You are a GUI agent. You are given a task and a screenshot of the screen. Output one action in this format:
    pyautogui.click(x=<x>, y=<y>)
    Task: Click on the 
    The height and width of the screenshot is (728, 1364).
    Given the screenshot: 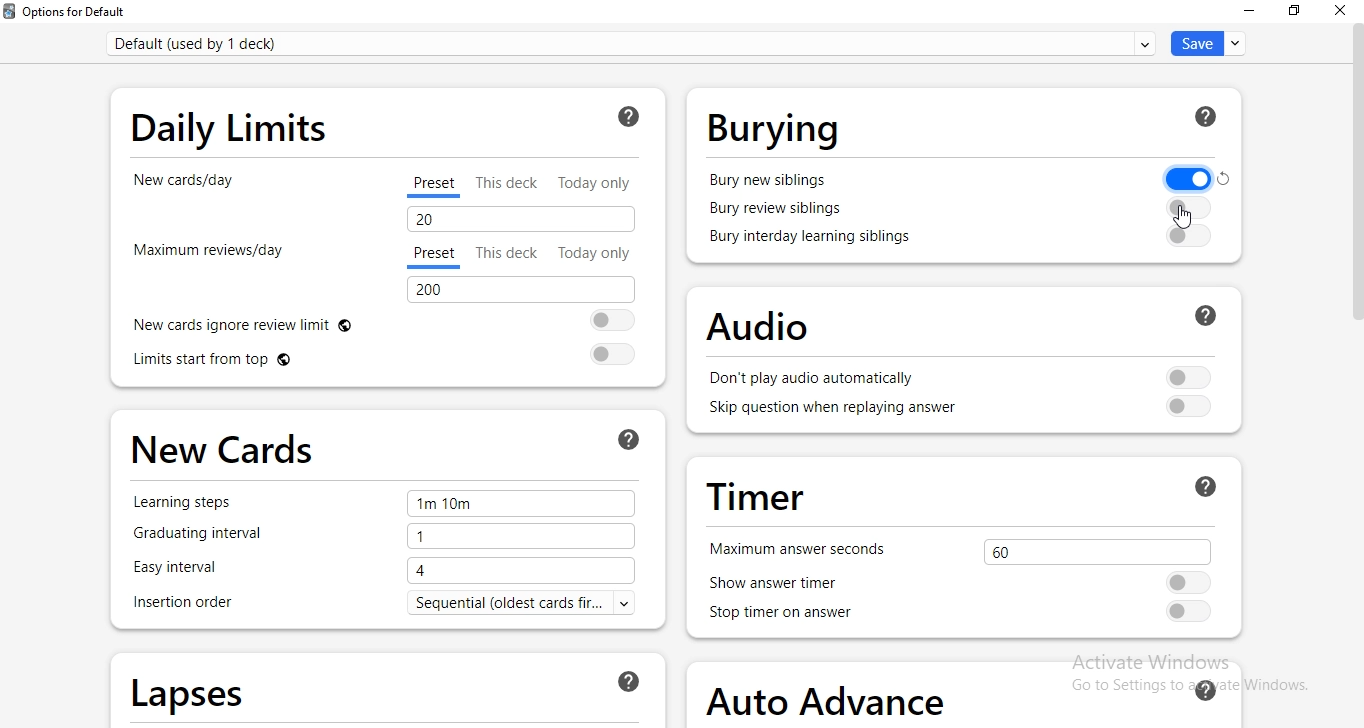 What is the action you would take?
    pyautogui.click(x=1207, y=116)
    